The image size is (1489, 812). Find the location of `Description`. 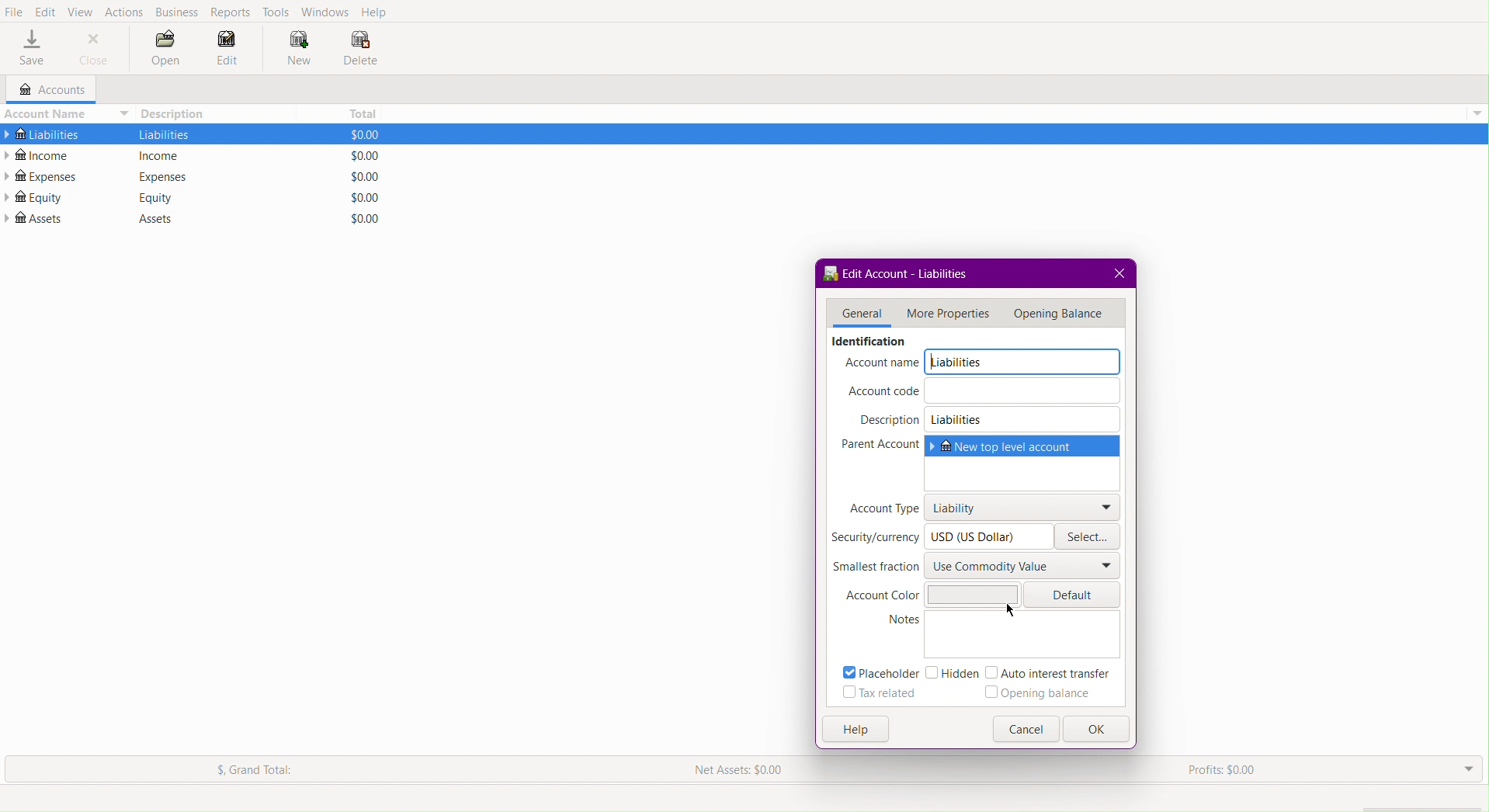

Description is located at coordinates (889, 418).